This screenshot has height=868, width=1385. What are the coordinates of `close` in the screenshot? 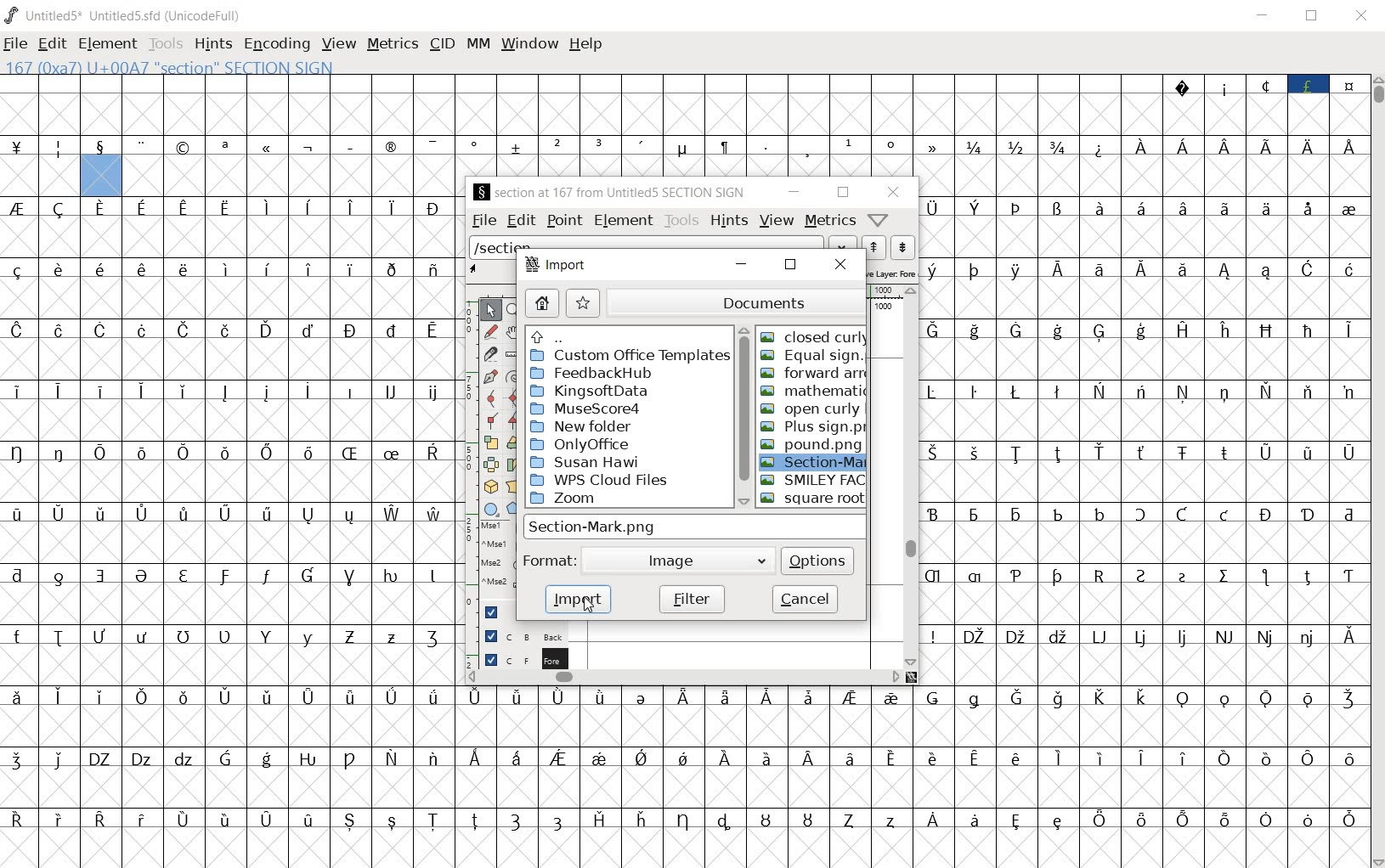 It's located at (893, 192).